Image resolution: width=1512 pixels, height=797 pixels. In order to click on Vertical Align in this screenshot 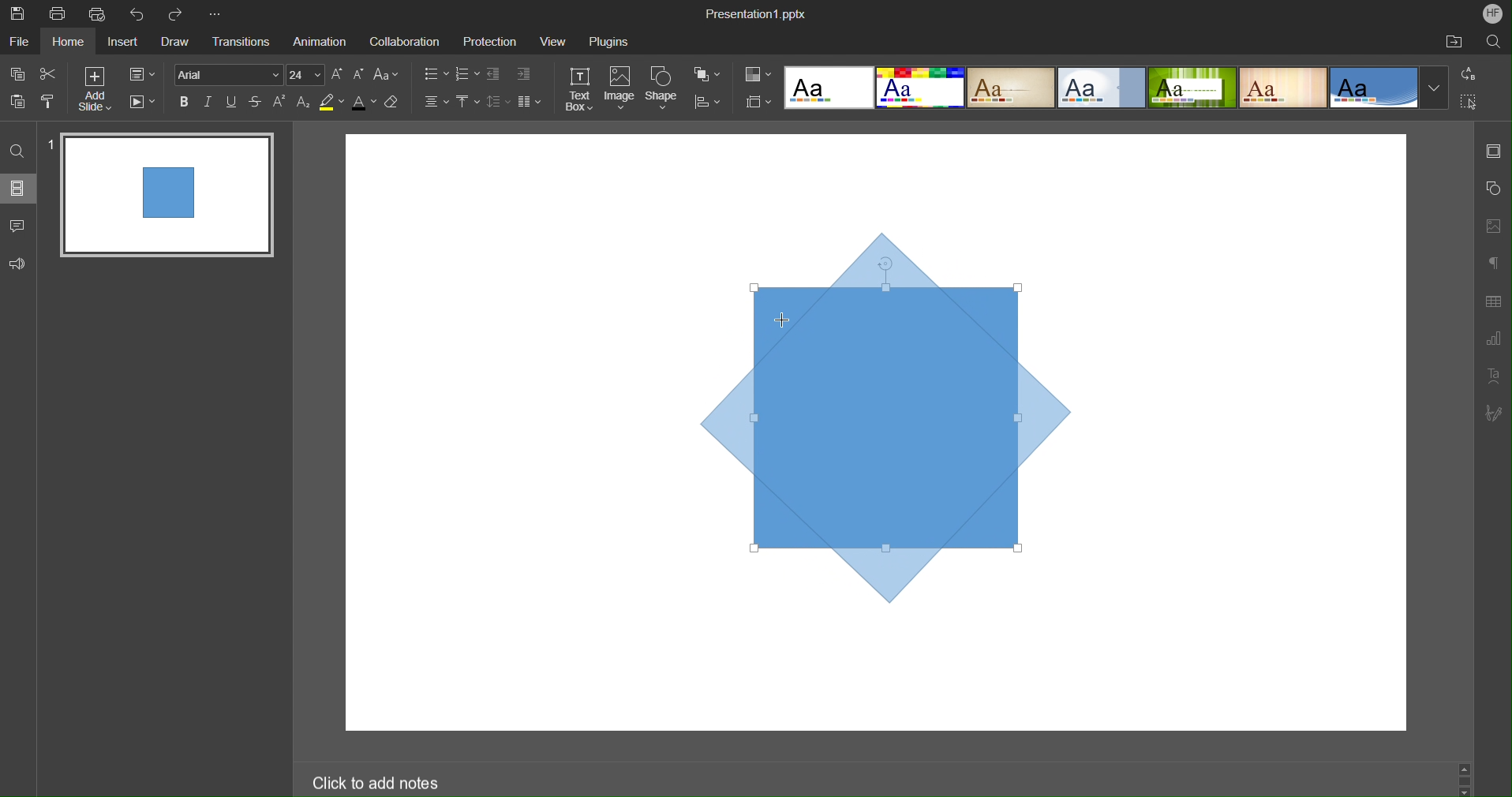, I will do `click(468, 102)`.